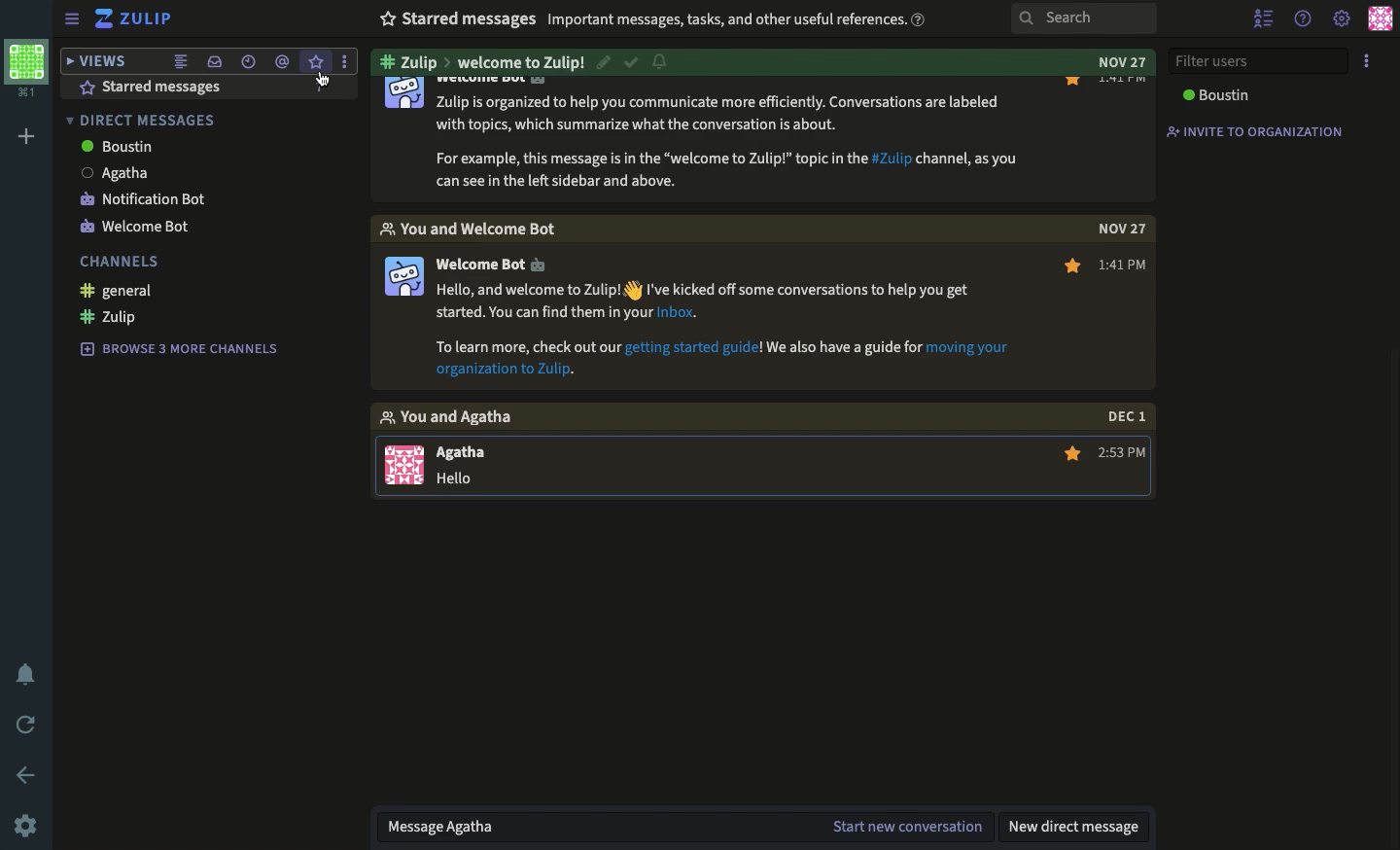  I want to click on views, so click(100, 61).